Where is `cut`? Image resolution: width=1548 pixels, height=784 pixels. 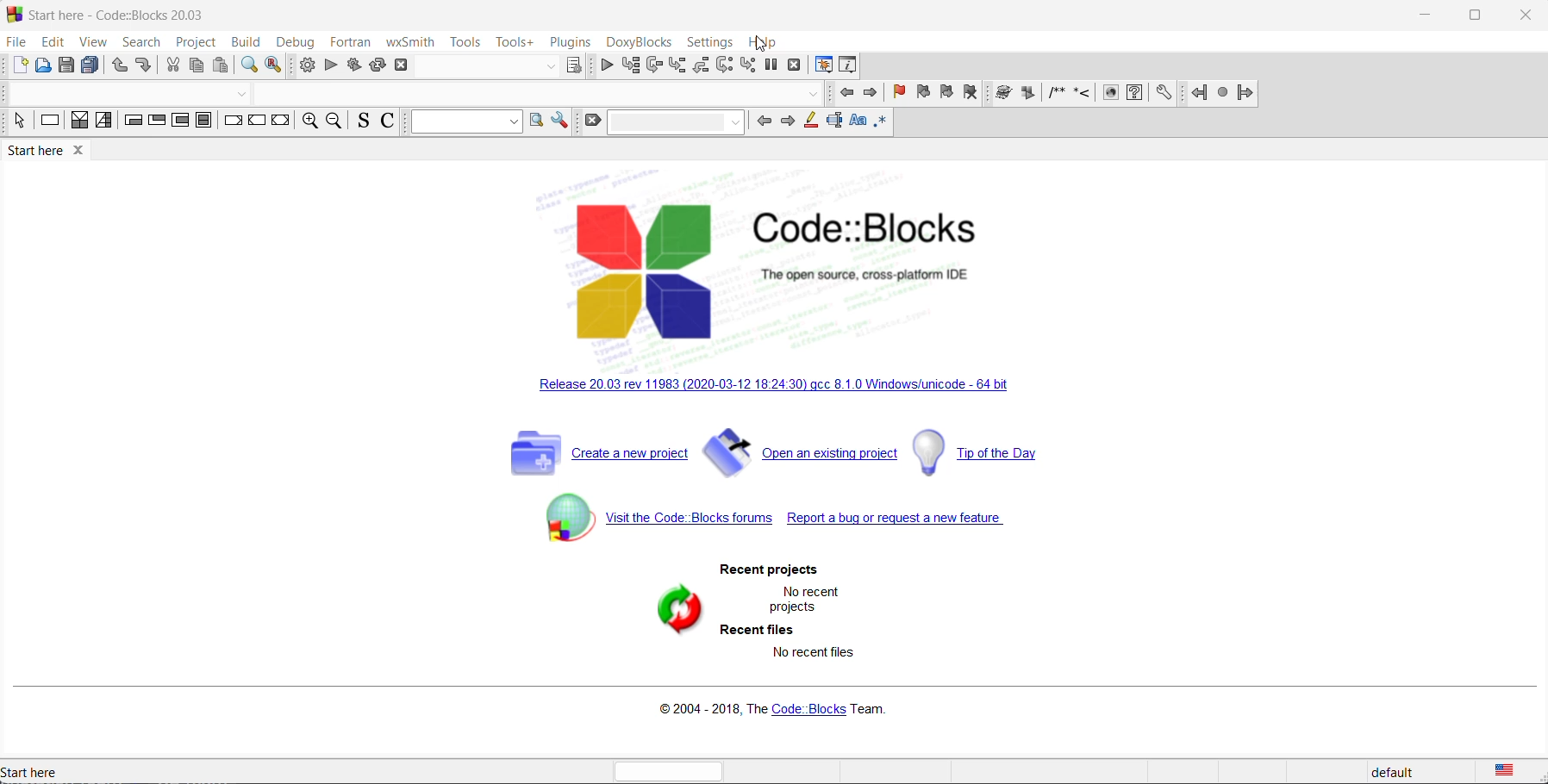 cut is located at coordinates (171, 66).